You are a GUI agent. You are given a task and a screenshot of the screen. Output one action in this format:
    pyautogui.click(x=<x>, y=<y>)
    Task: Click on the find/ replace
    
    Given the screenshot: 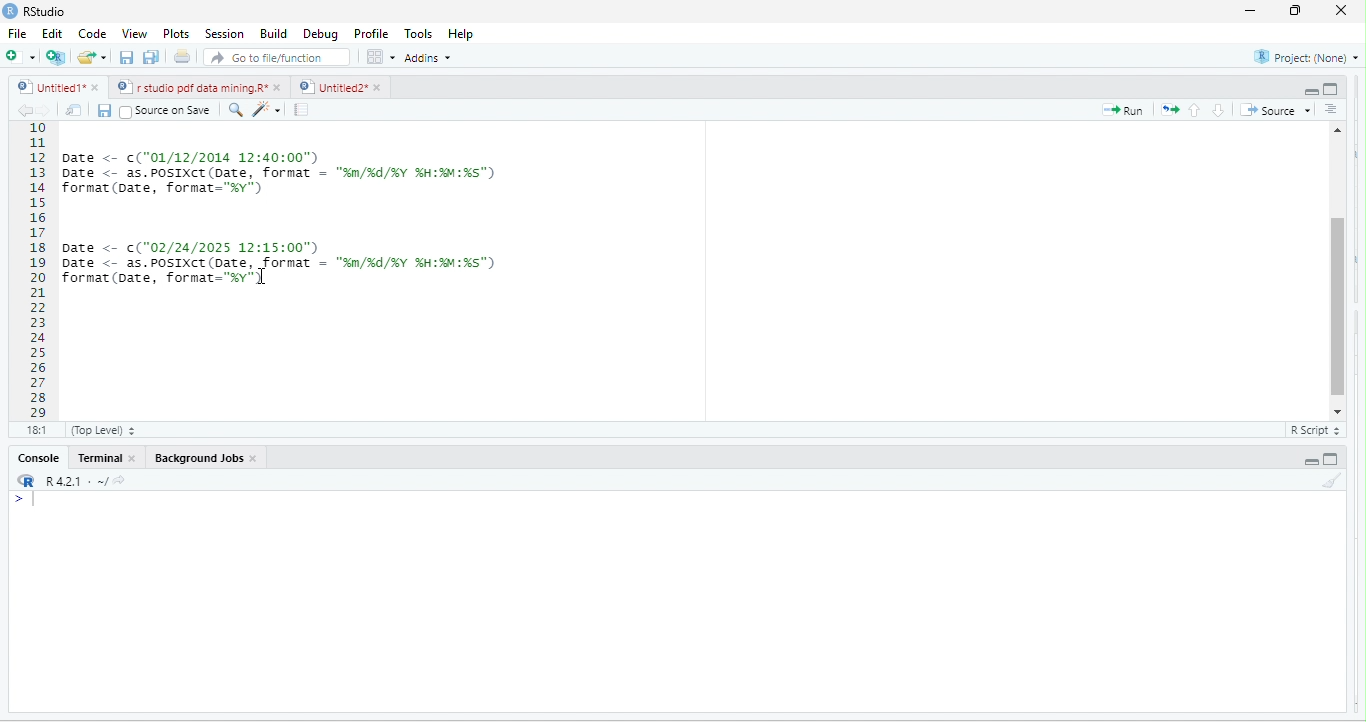 What is the action you would take?
    pyautogui.click(x=232, y=110)
    